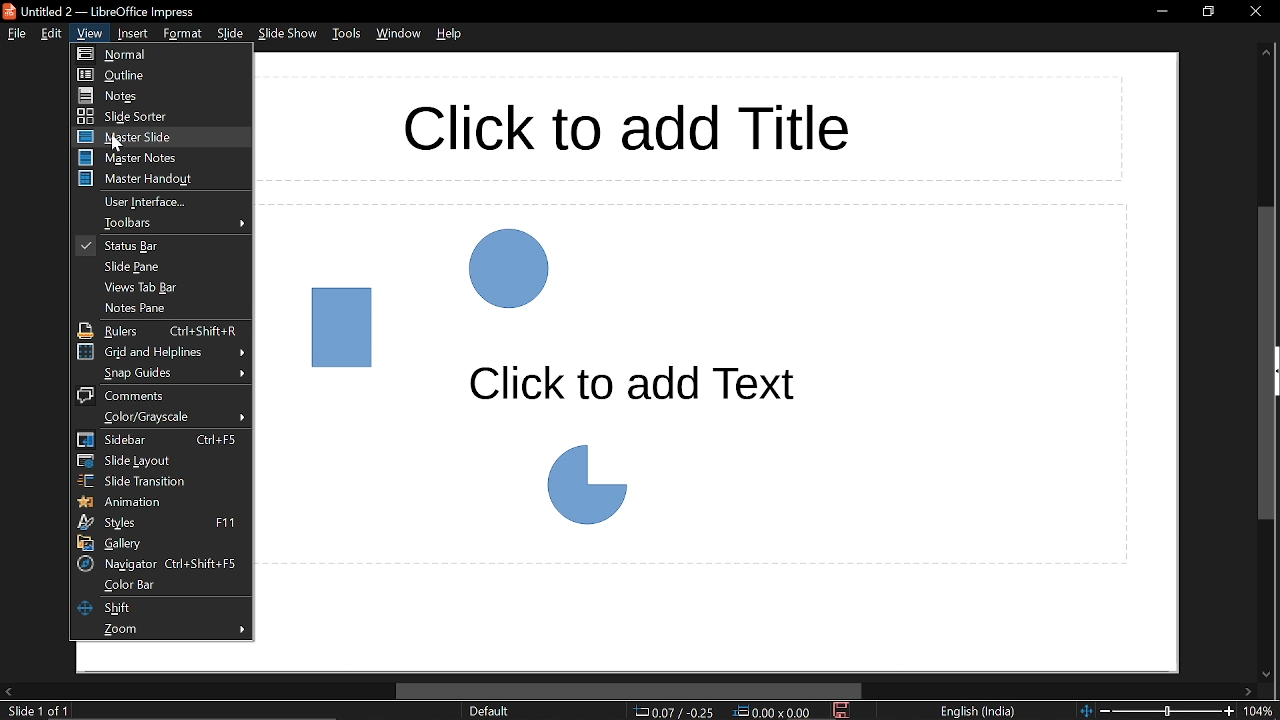 Image resolution: width=1280 pixels, height=720 pixels. What do you see at coordinates (162, 202) in the screenshot?
I see `User interface` at bounding box center [162, 202].